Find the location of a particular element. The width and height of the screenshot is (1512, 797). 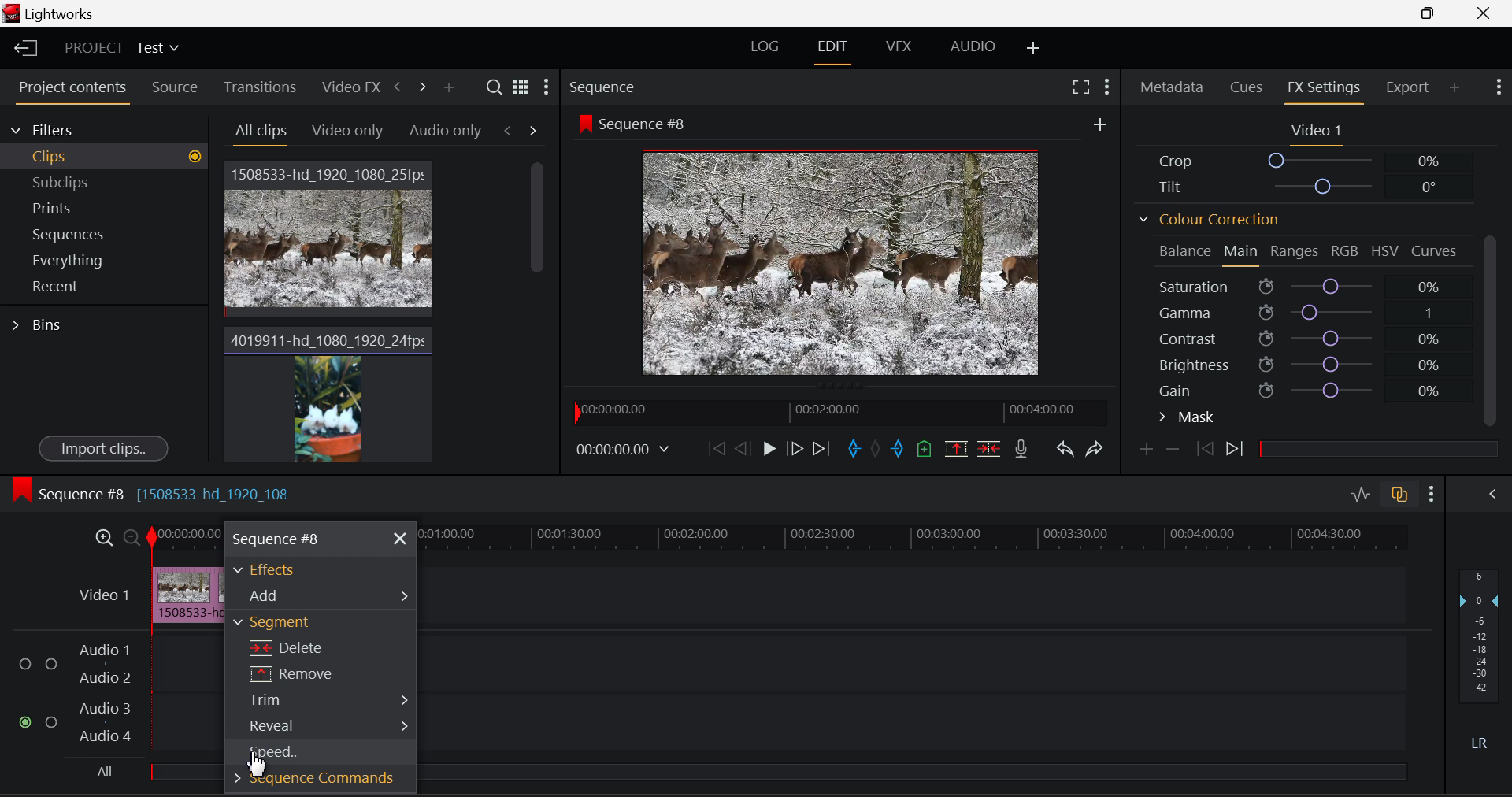

Scroll Bar is located at coordinates (535, 237).